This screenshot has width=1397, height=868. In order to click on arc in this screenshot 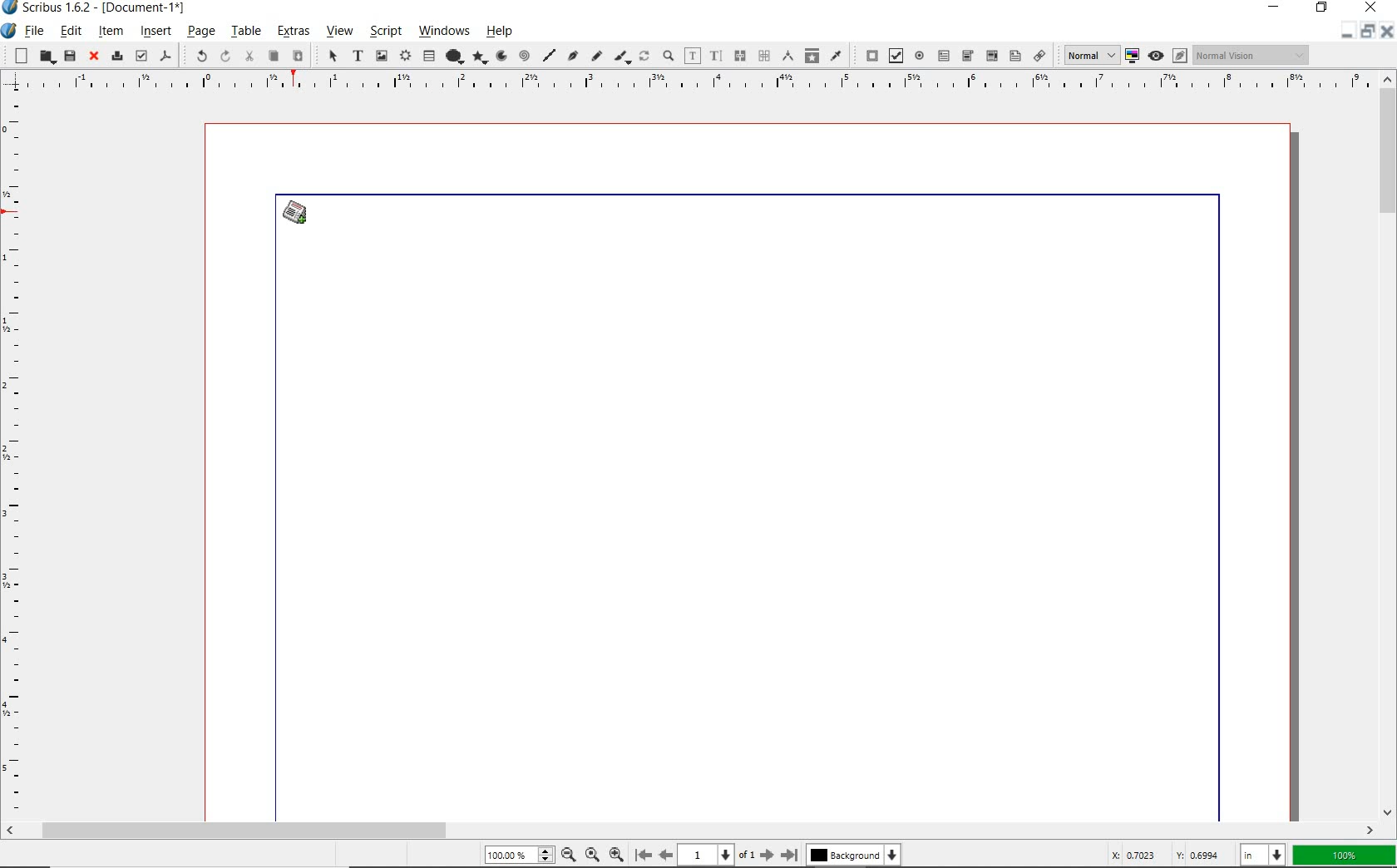, I will do `click(505, 55)`.